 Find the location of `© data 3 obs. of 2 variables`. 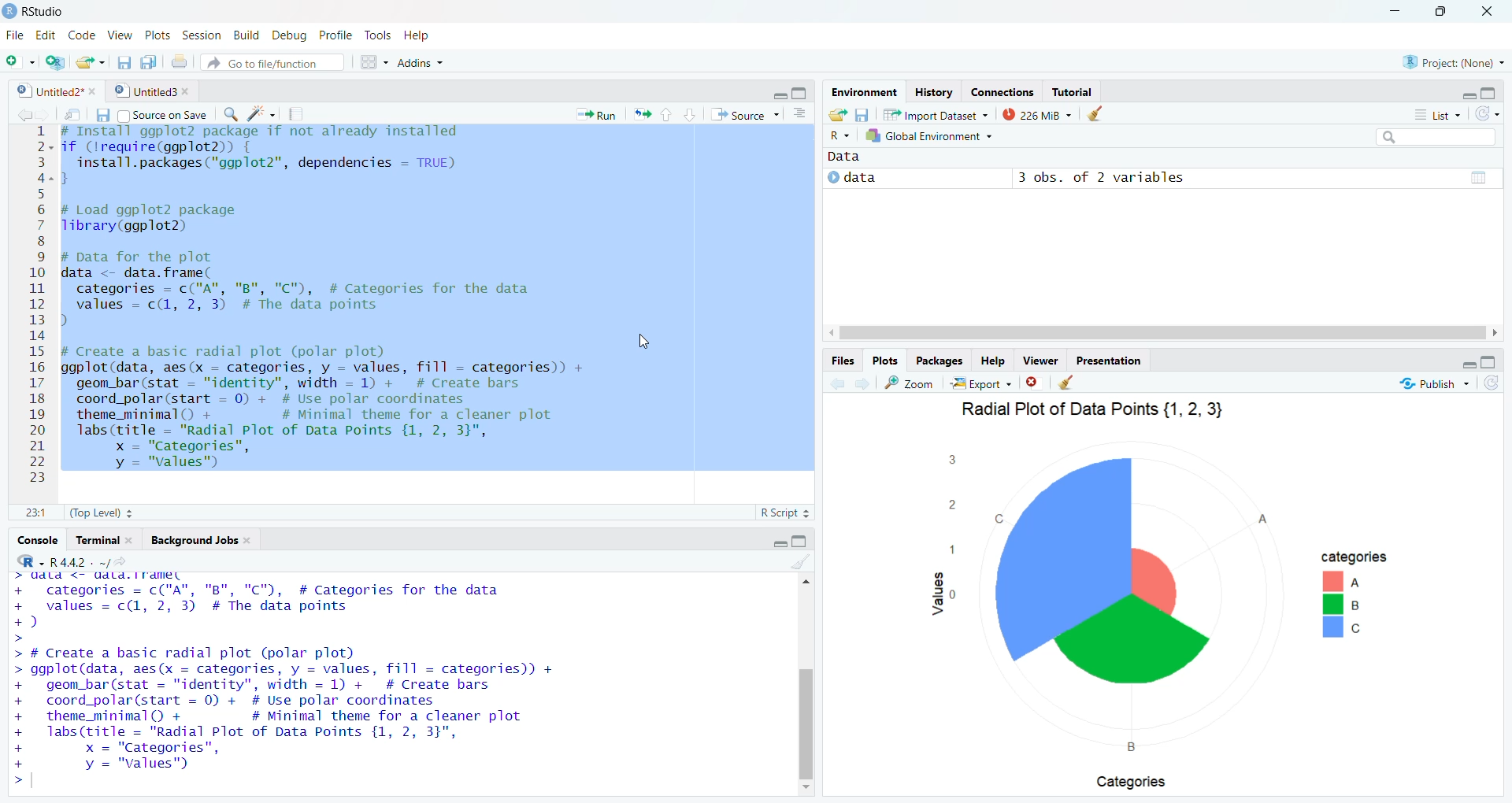

© data 3 obs. of 2 variables is located at coordinates (1166, 177).